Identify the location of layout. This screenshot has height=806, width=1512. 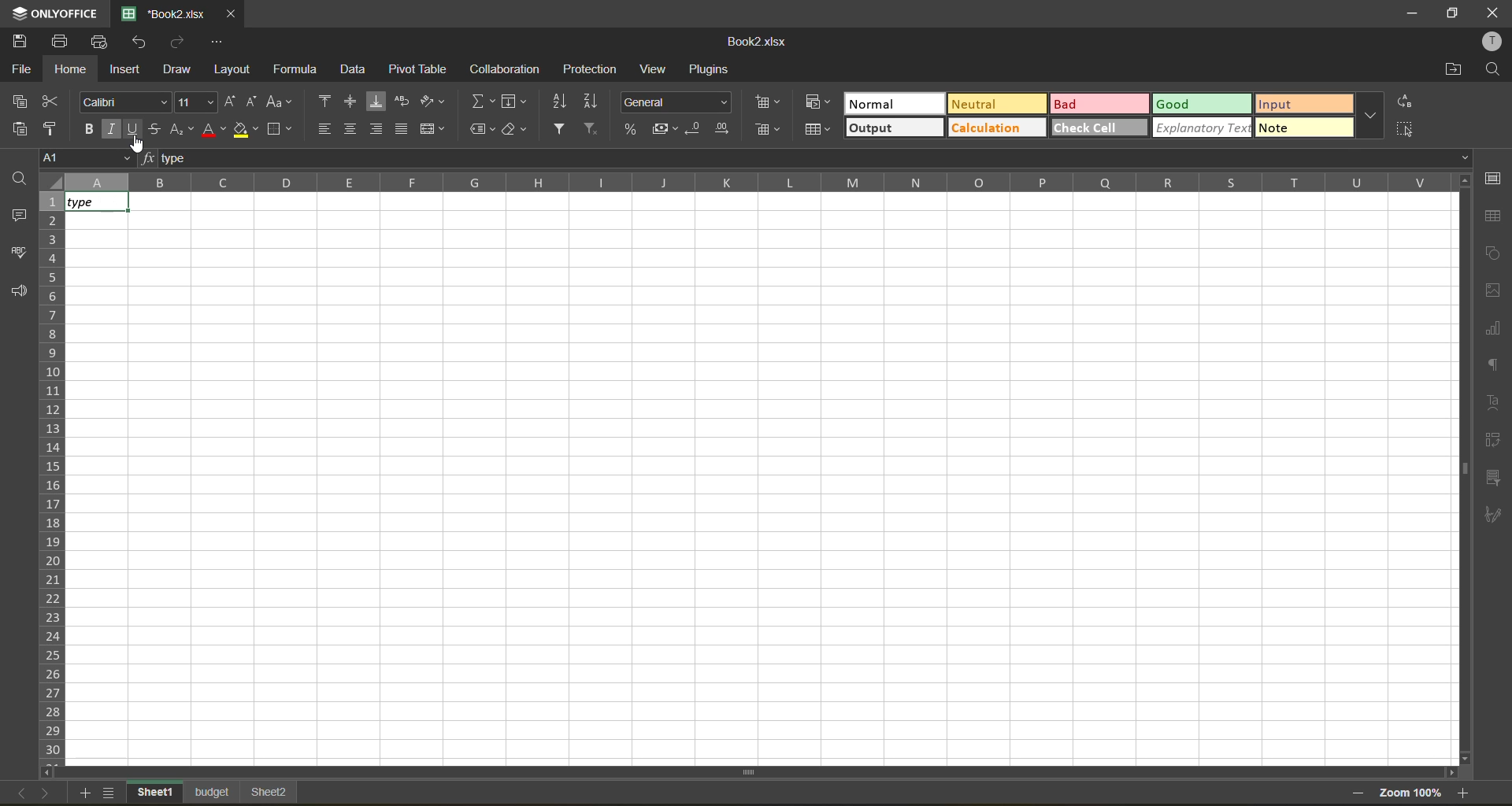
(235, 70).